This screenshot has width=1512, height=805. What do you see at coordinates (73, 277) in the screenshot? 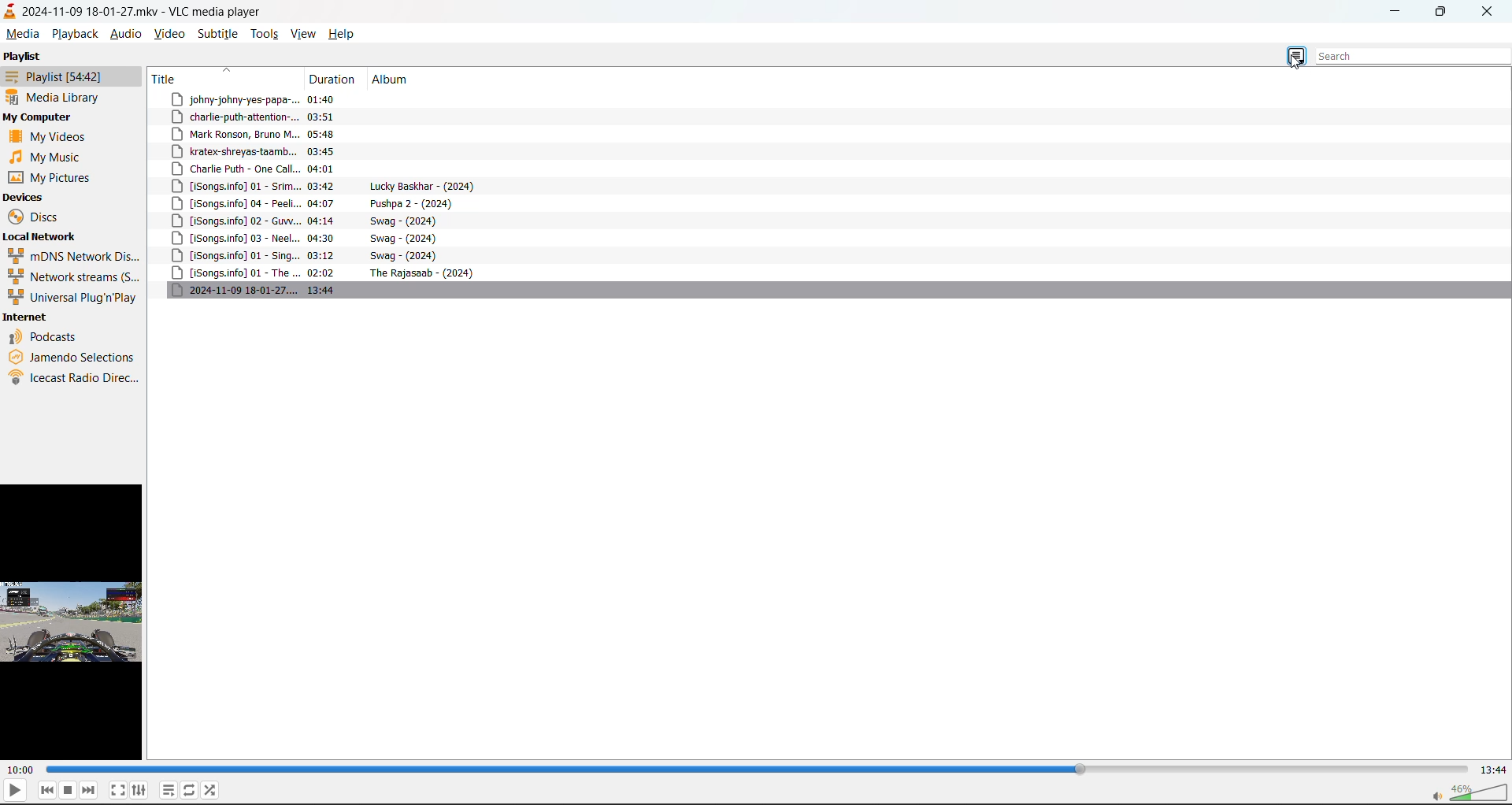
I see `network streams` at bounding box center [73, 277].